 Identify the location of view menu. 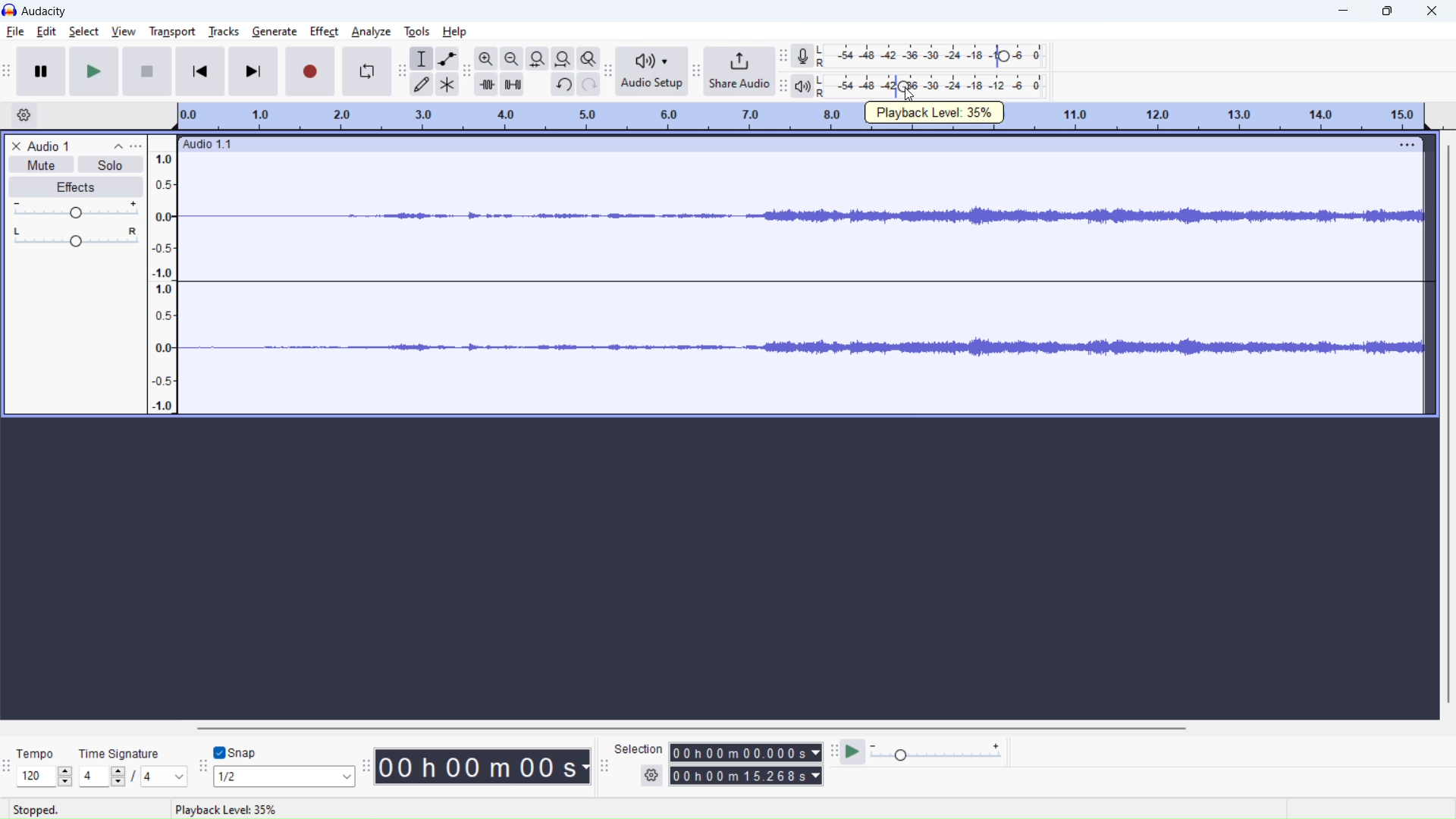
(136, 146).